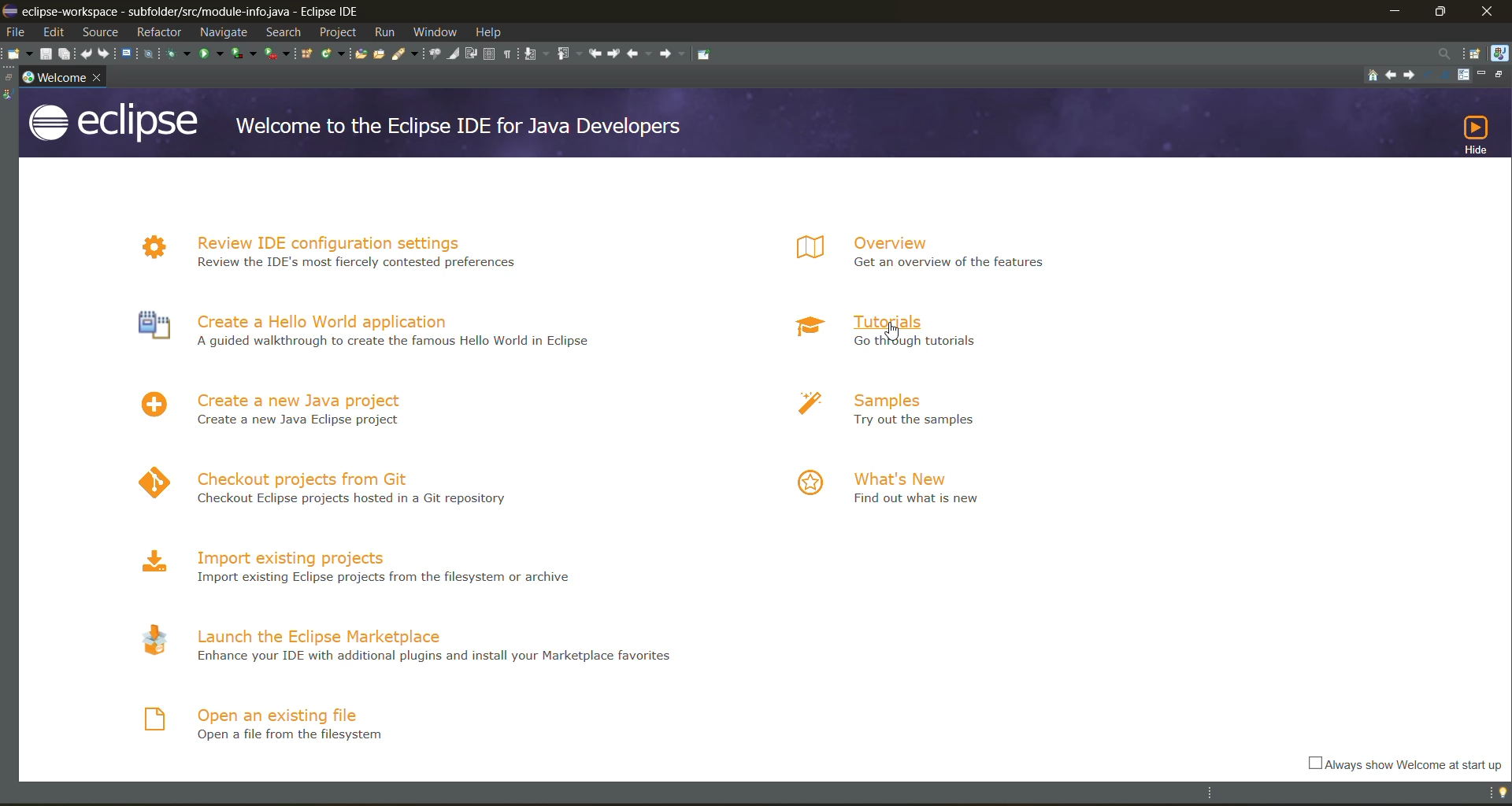  I want to click on edit, so click(57, 33).